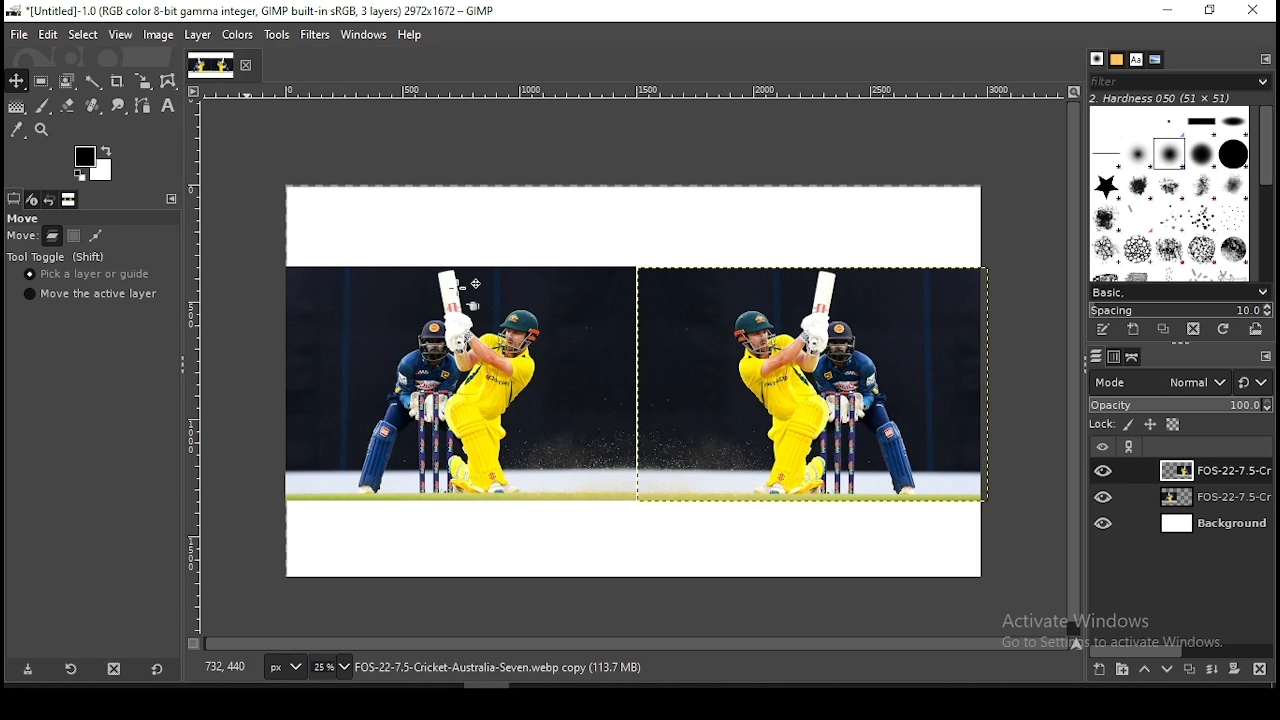  Describe the element at coordinates (1265, 58) in the screenshot. I see `tool` at that location.